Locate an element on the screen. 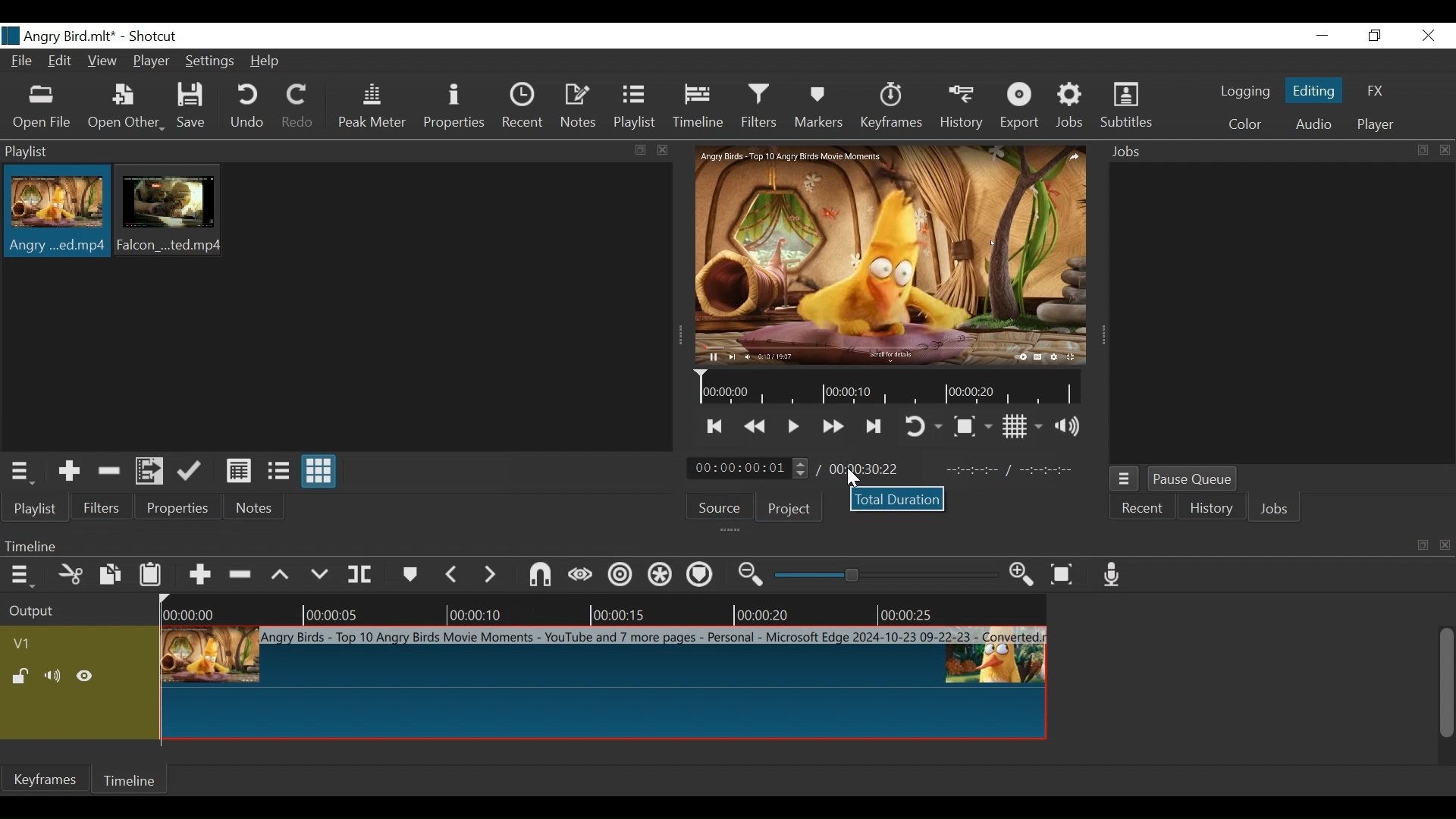 The height and width of the screenshot is (819, 1456). Skip to the next point  is located at coordinates (876, 428).